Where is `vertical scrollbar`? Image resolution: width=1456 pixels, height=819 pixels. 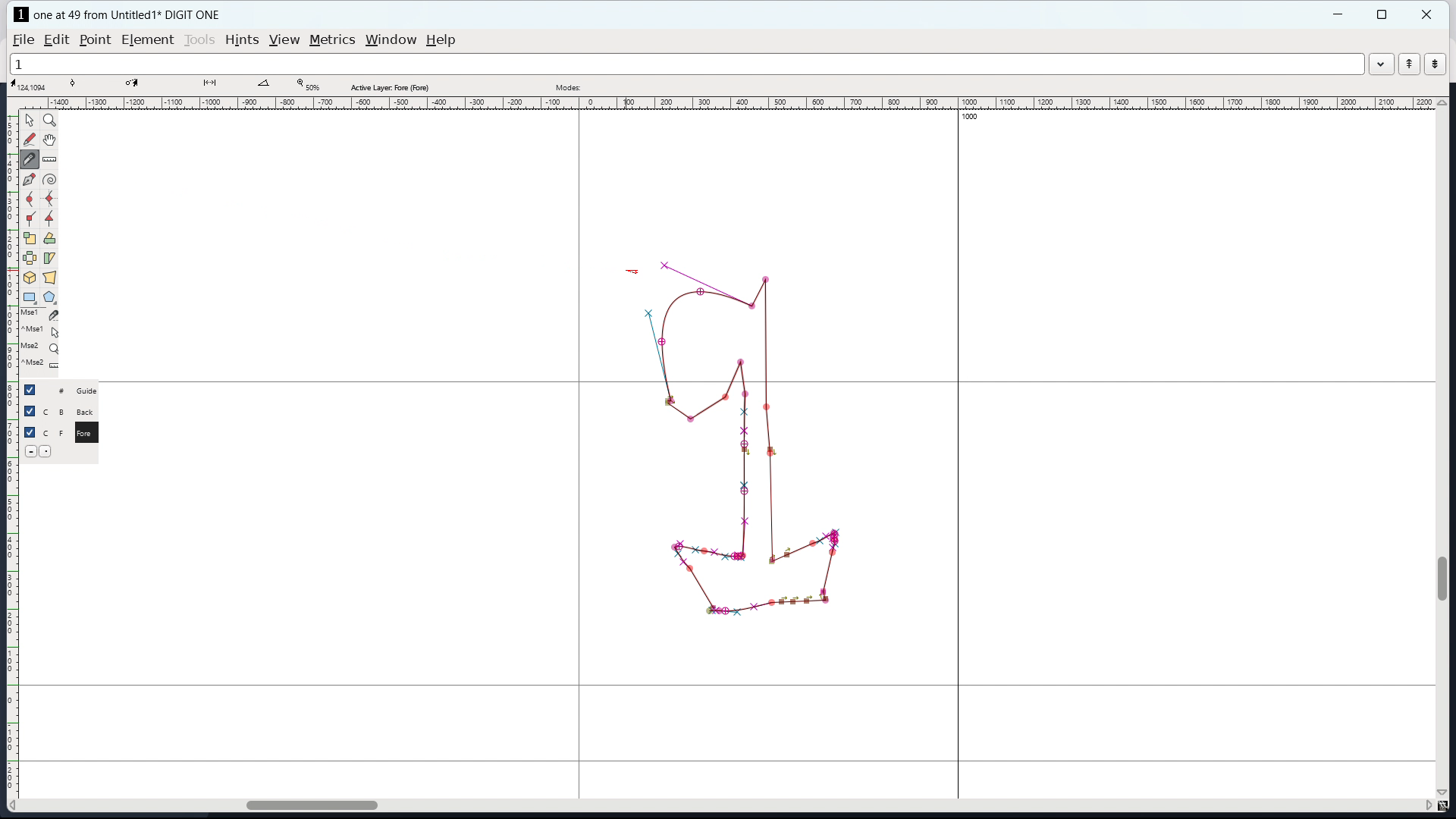
vertical scrollbar is located at coordinates (1445, 578).